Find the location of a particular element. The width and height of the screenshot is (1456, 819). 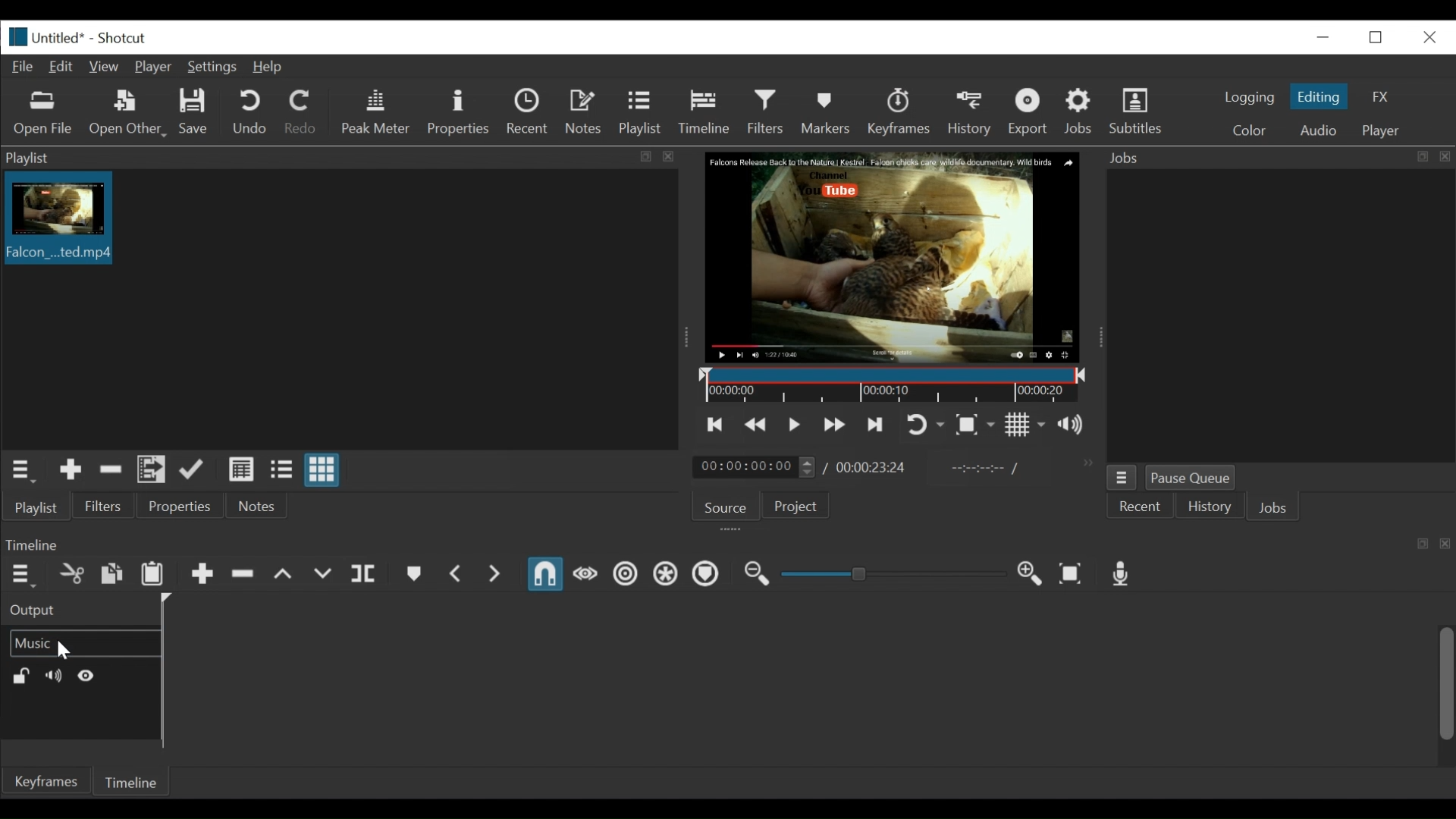

Add Source the playlist is located at coordinates (70, 471).